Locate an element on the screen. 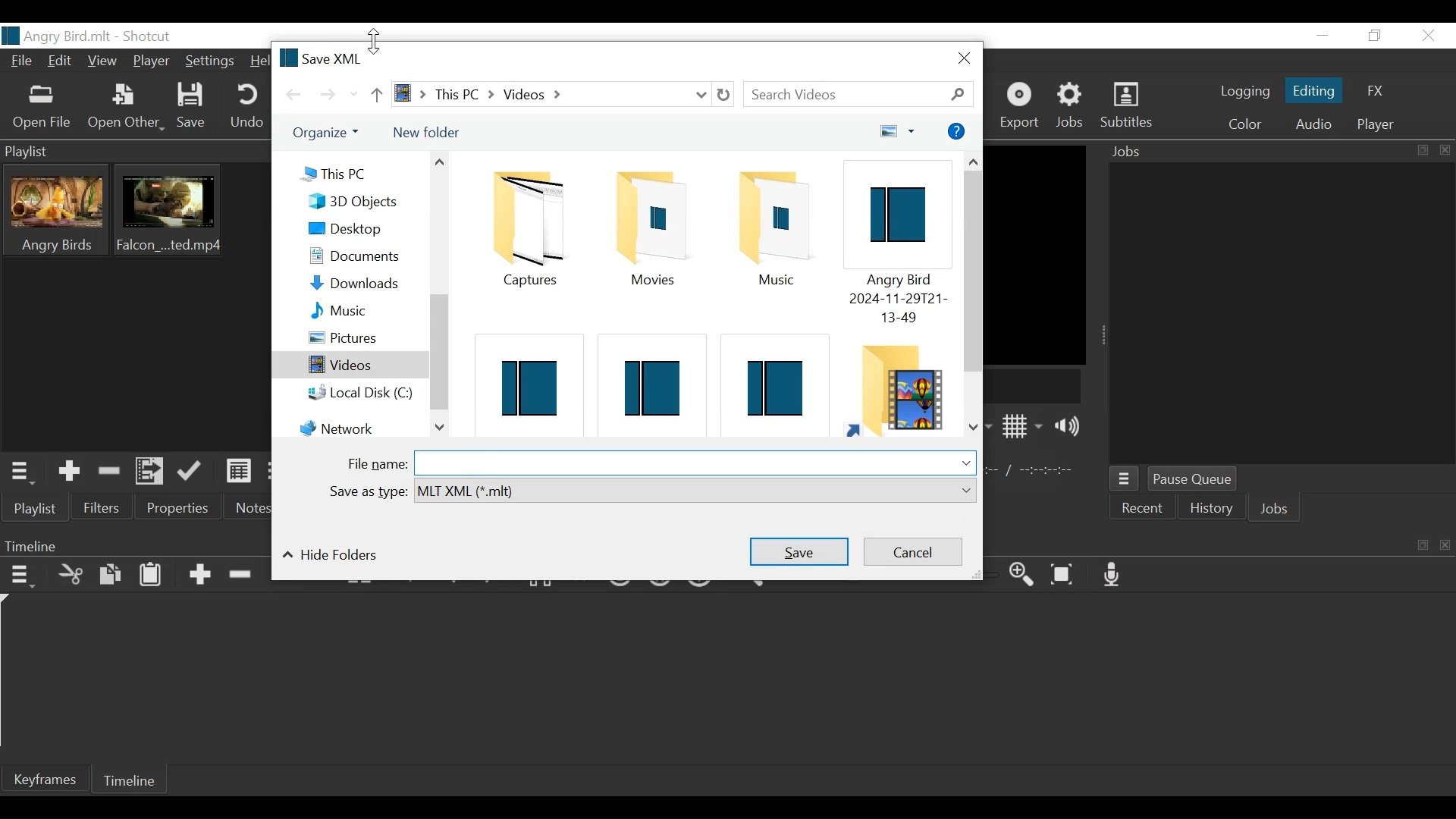  Jobs is located at coordinates (1272, 510).